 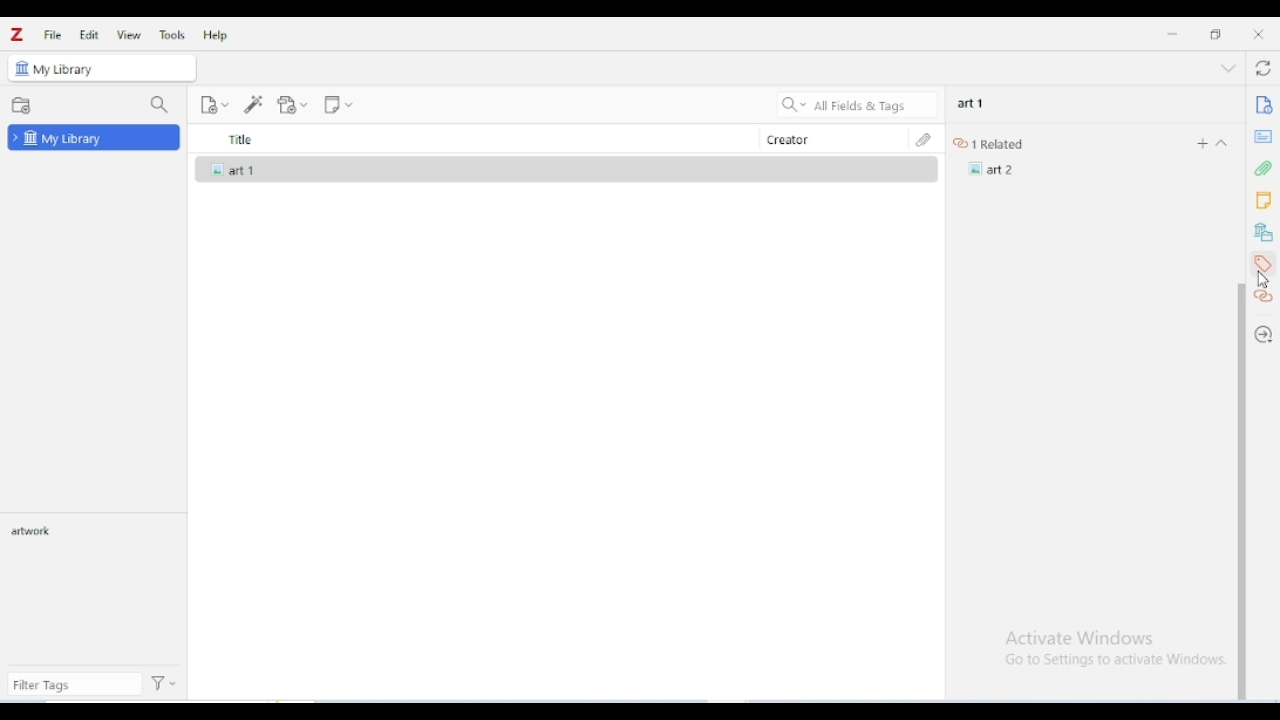 What do you see at coordinates (160, 105) in the screenshot?
I see `filter collections` at bounding box center [160, 105].